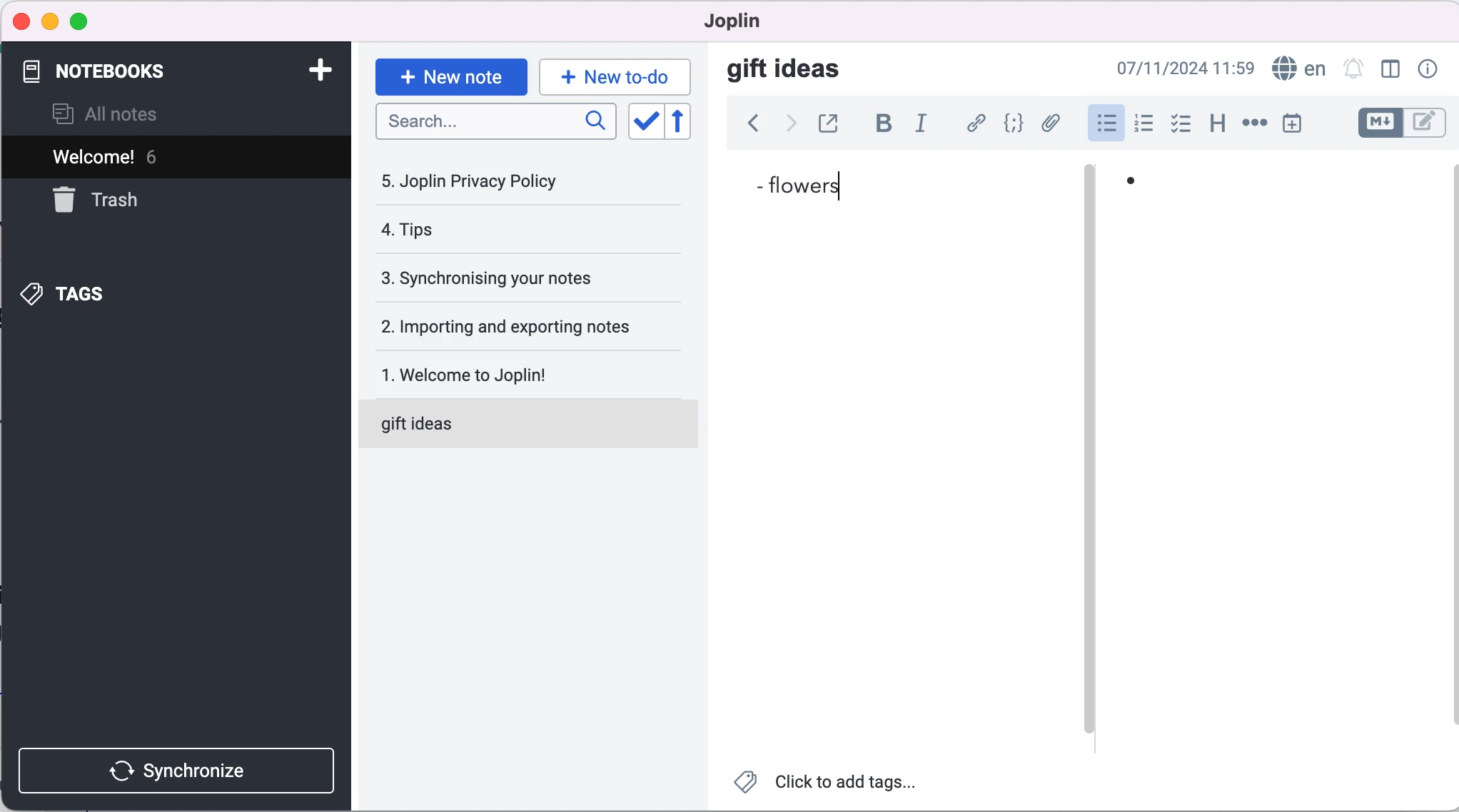 The width and height of the screenshot is (1459, 812). I want to click on horizontal rule, so click(1254, 125).